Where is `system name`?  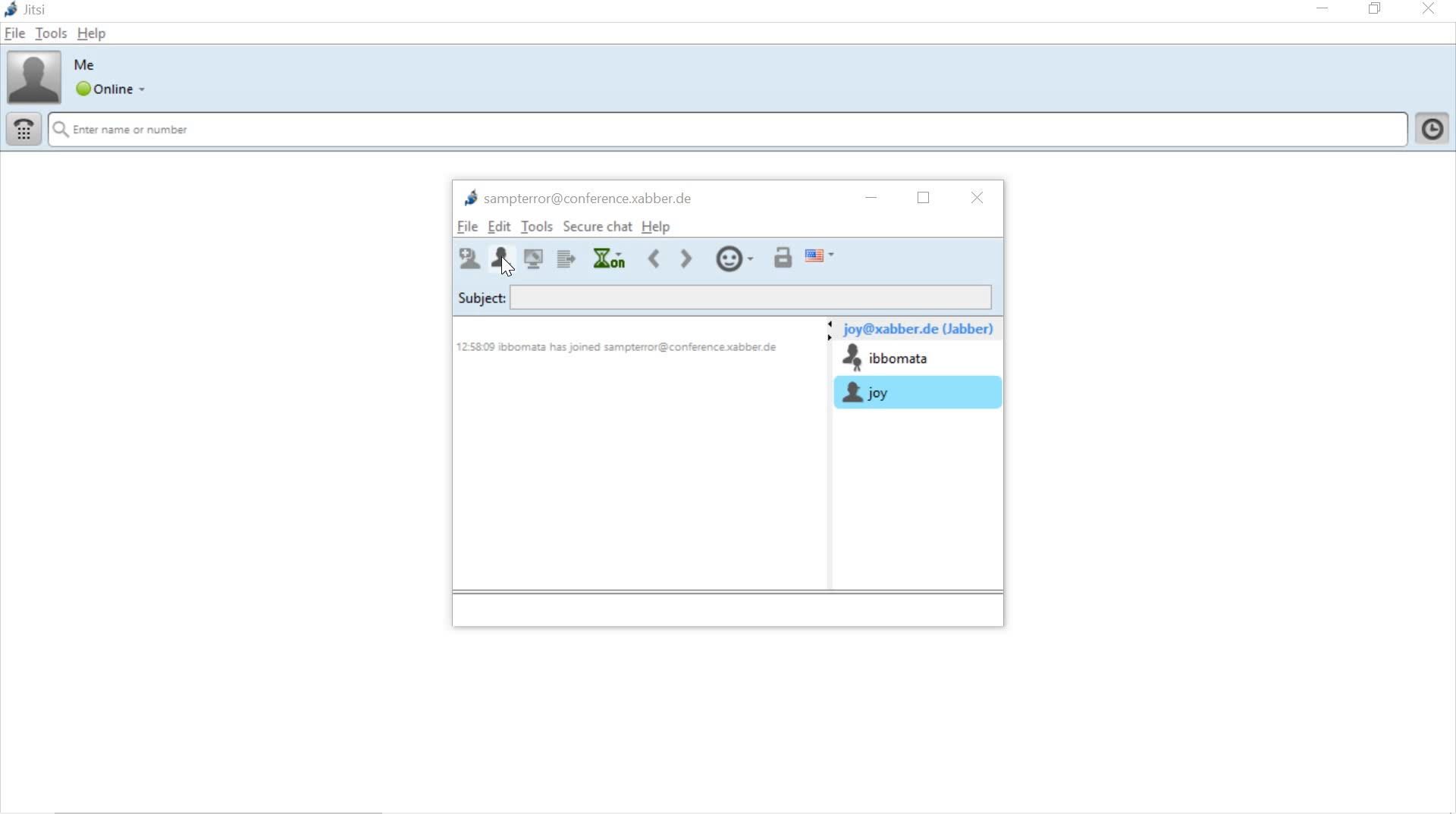
system name is located at coordinates (29, 10).